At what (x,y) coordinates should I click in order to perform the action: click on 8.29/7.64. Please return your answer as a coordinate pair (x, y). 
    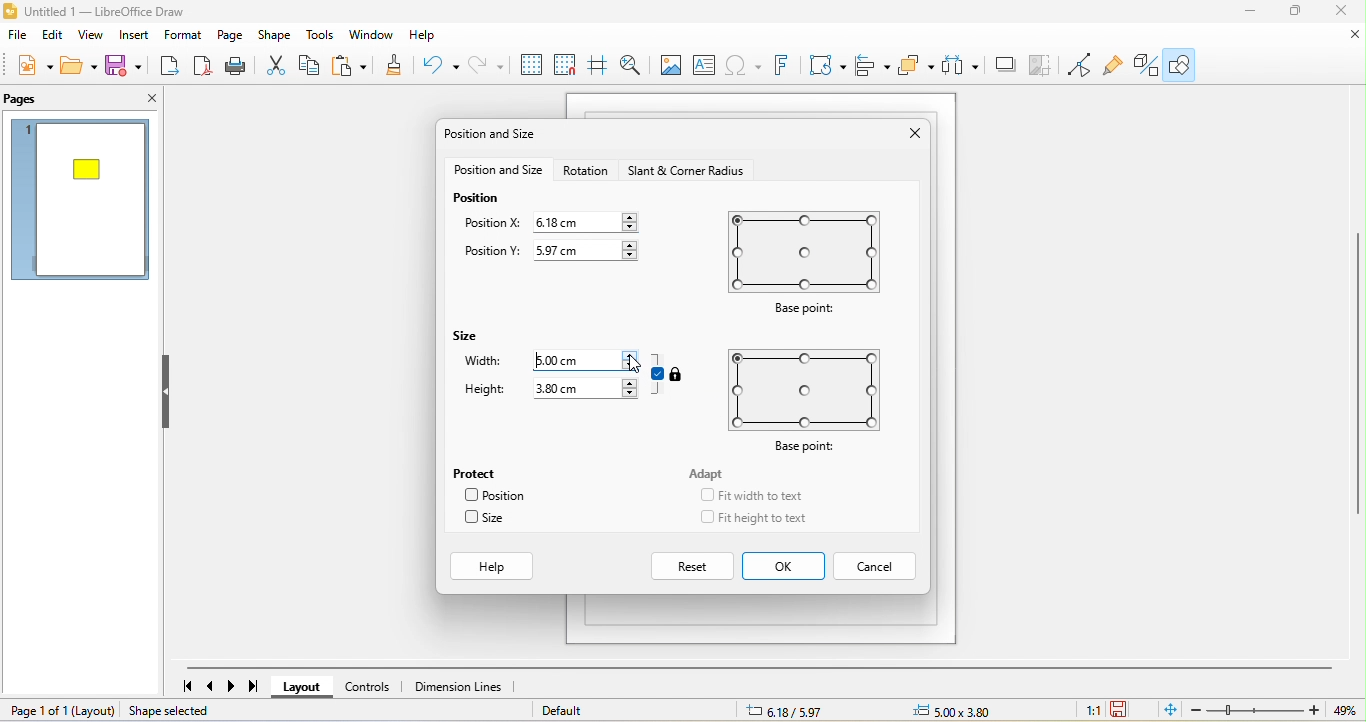
    Looking at the image, I should click on (816, 710).